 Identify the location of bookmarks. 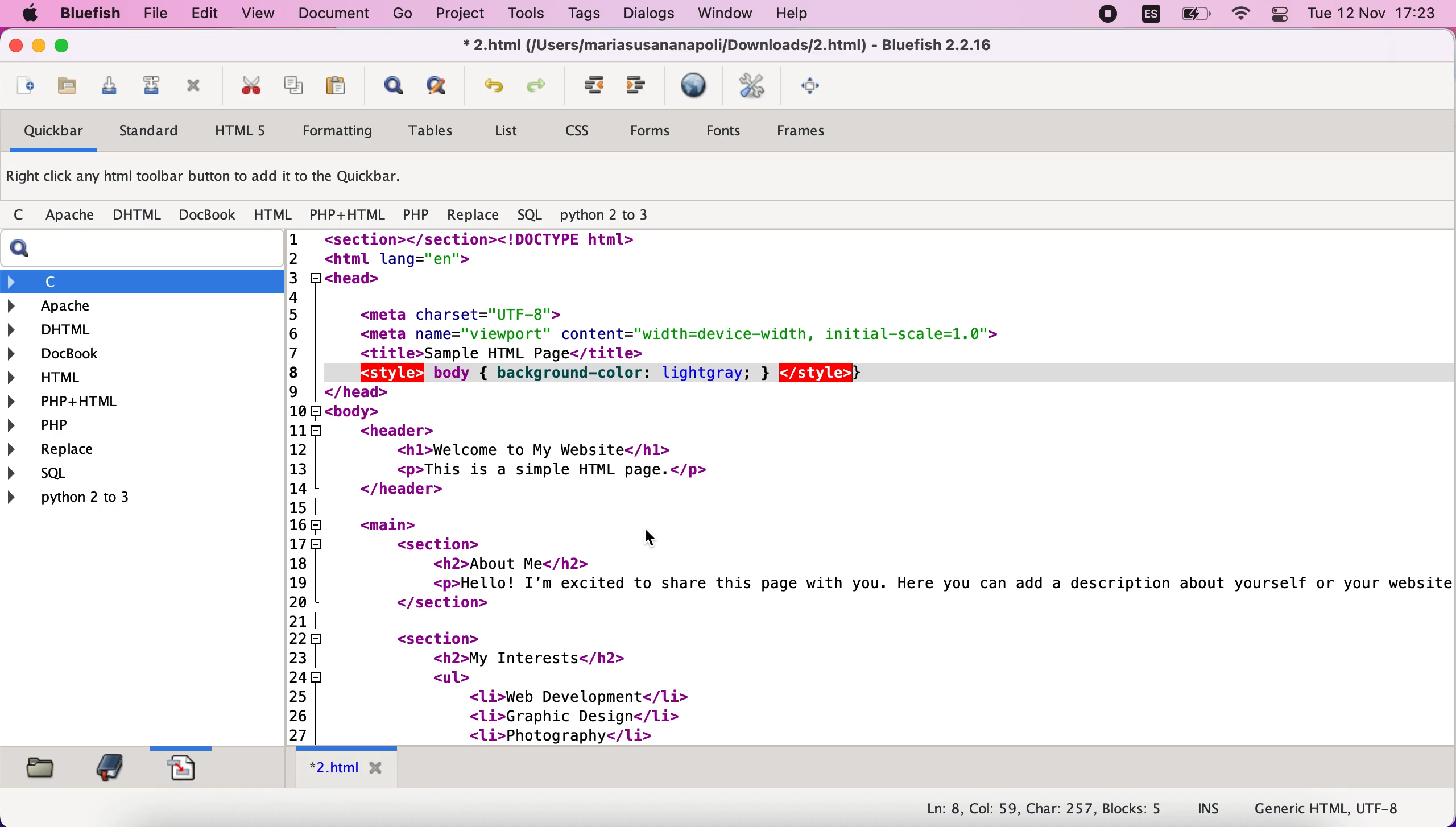
(111, 769).